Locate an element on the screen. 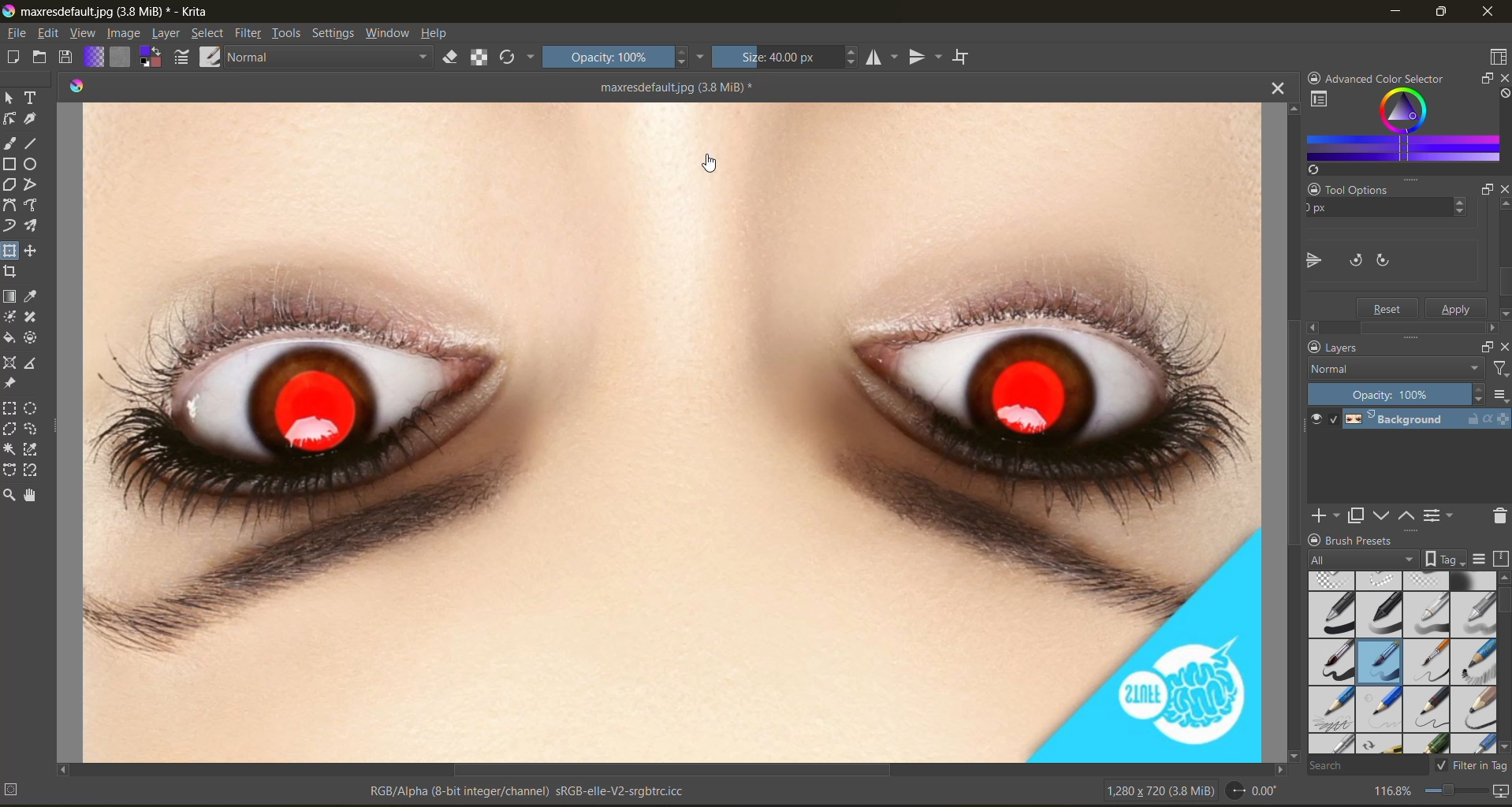 The image size is (1512, 807). map the canvas is located at coordinates (1502, 792).